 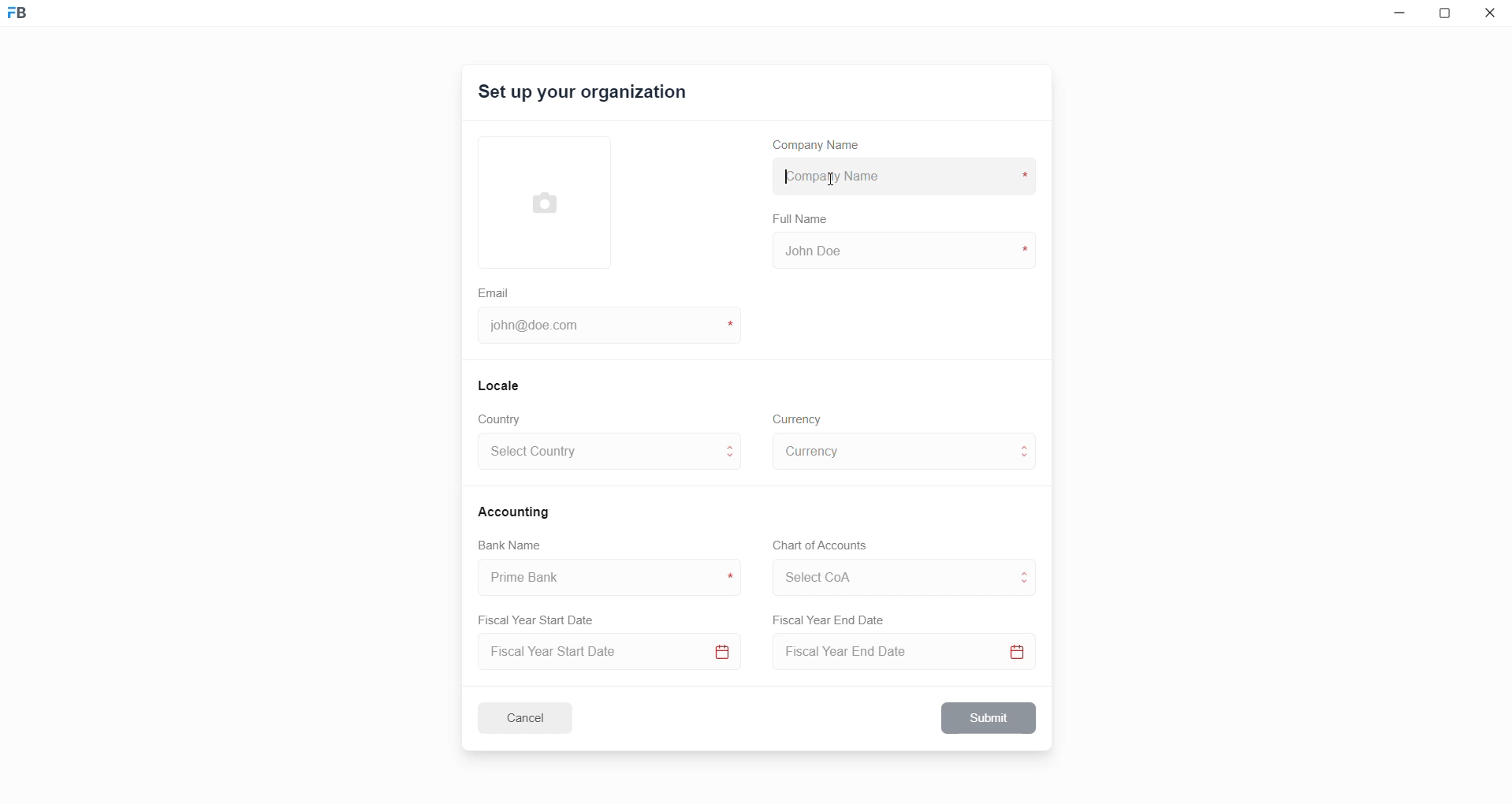 I want to click on Fiscal Year End Date, so click(x=830, y=620).